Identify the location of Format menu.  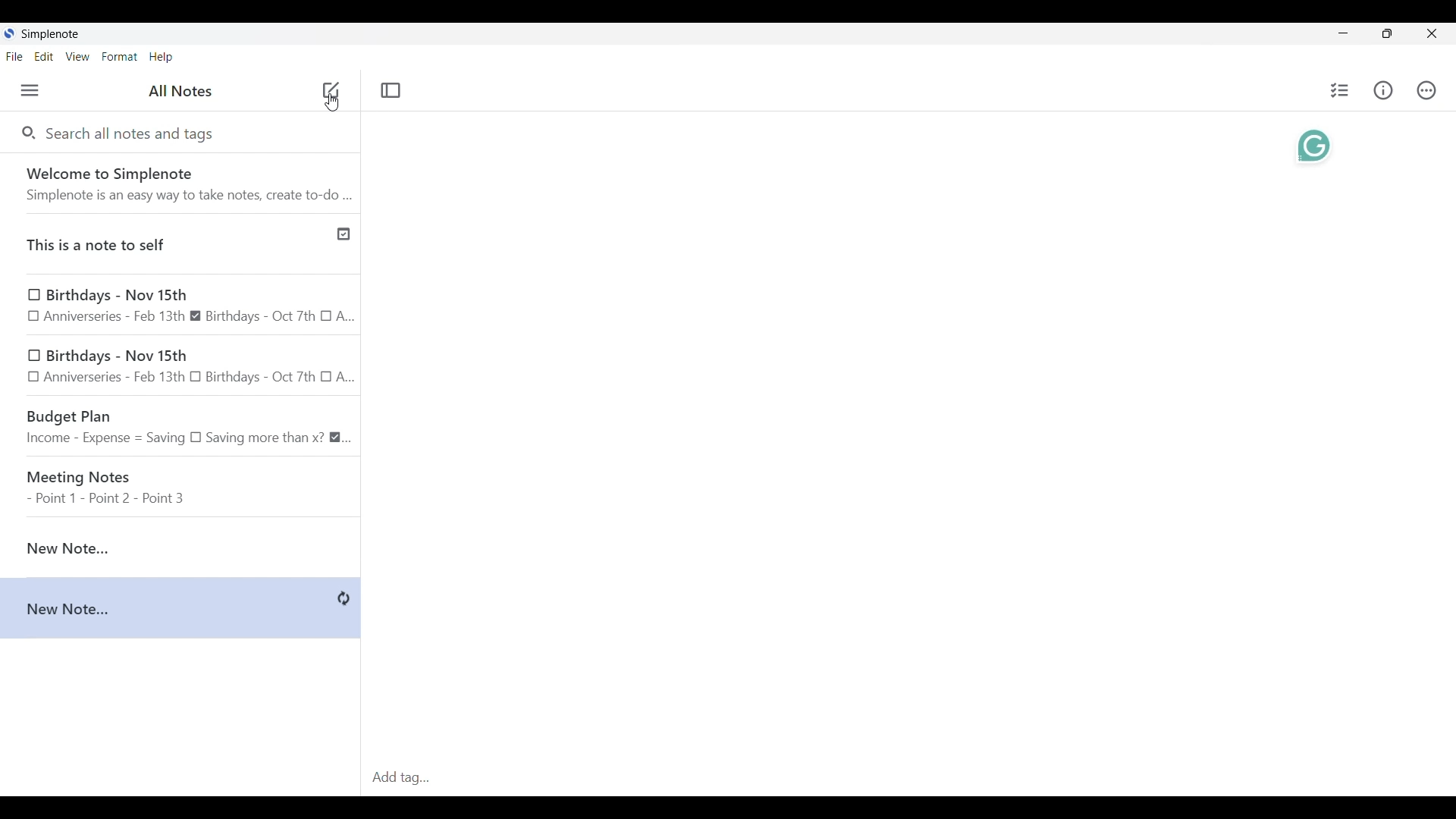
(120, 57).